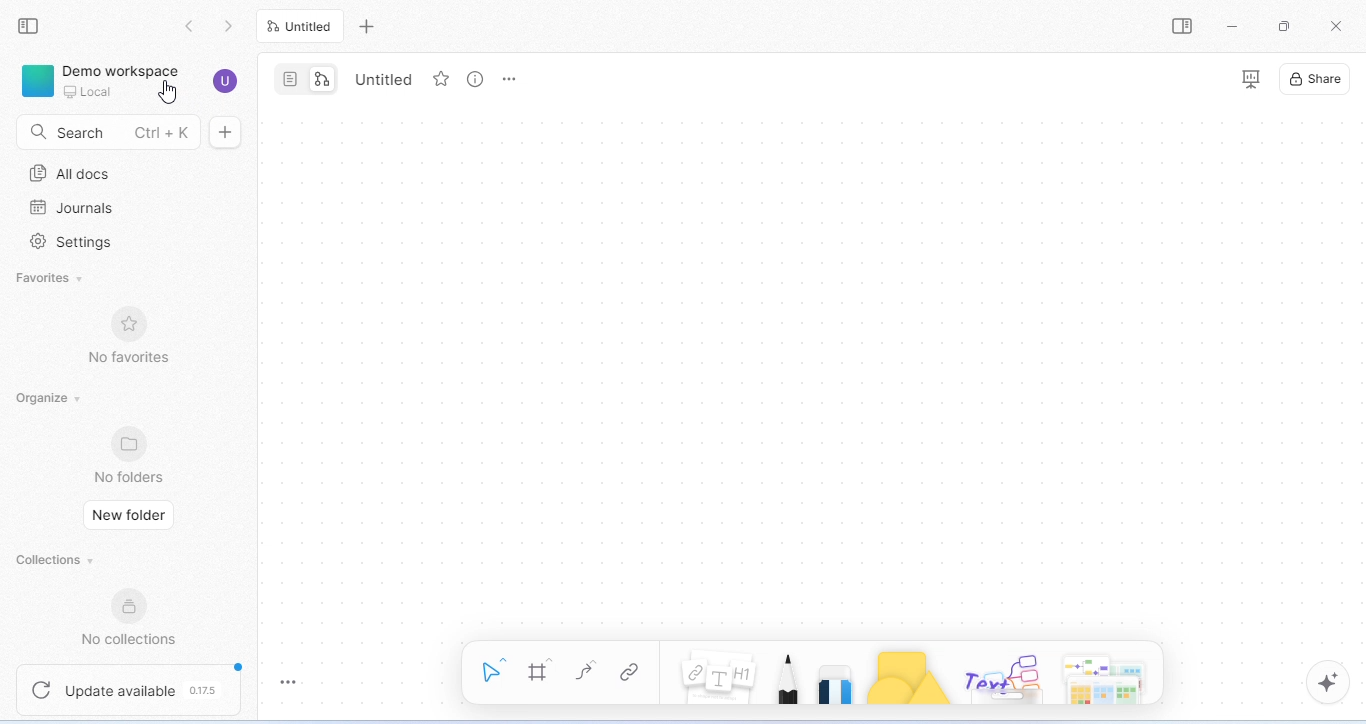  Describe the element at coordinates (190, 26) in the screenshot. I see `go back` at that location.